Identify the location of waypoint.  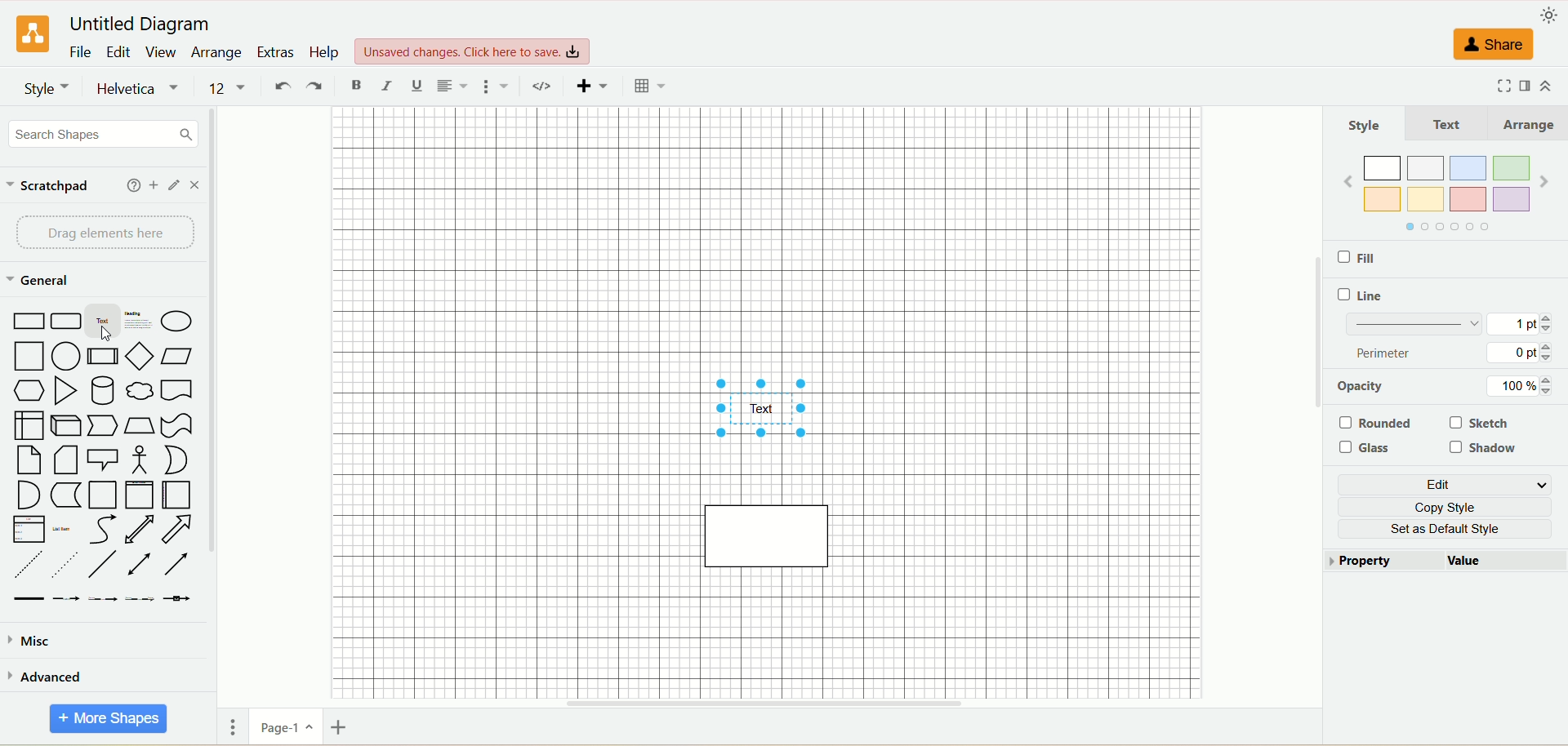
(546, 87).